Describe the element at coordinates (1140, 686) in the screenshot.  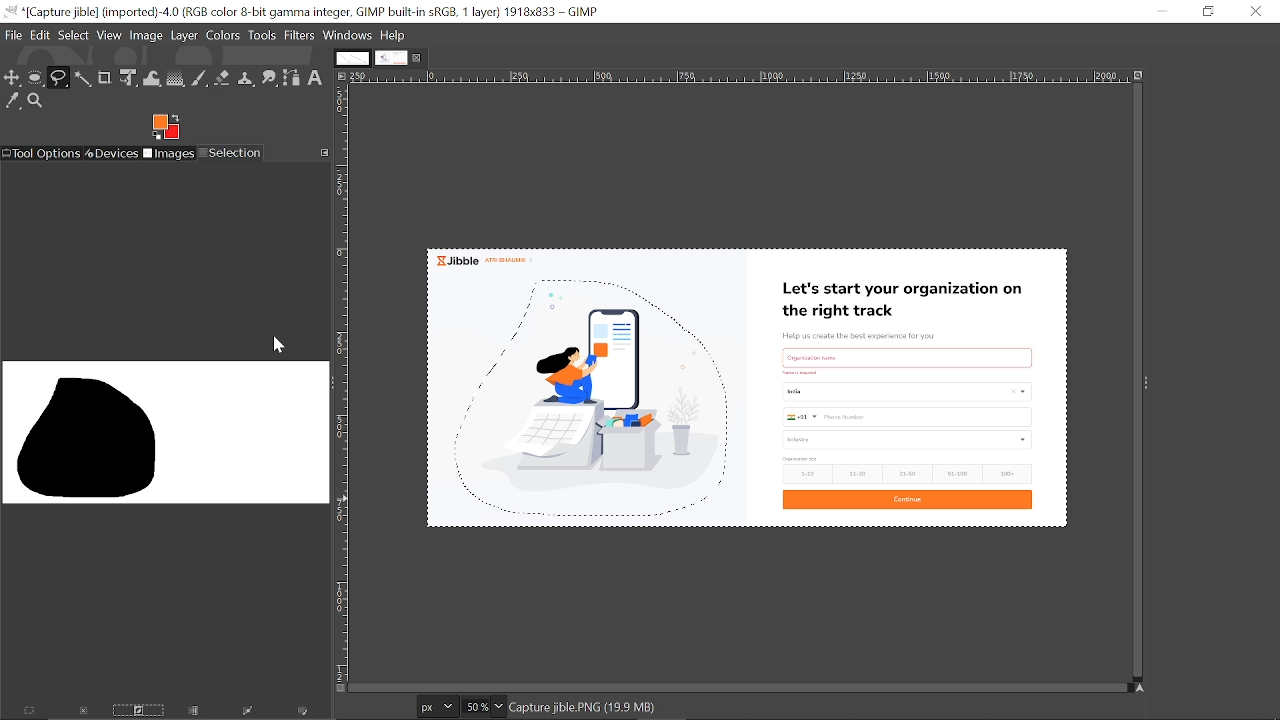
I see `Navigate this display` at that location.